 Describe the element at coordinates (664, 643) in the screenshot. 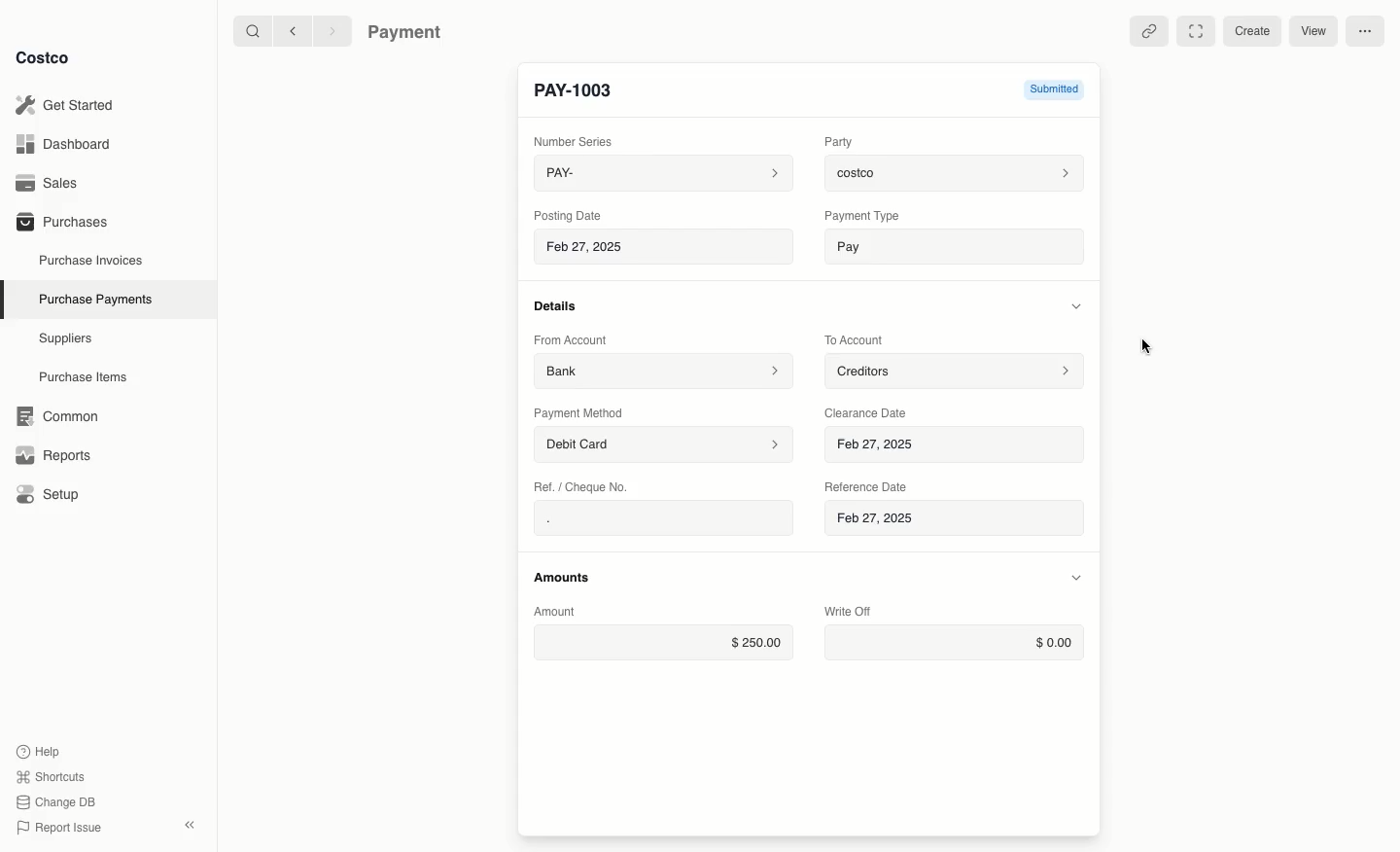

I see `$250.00` at that location.